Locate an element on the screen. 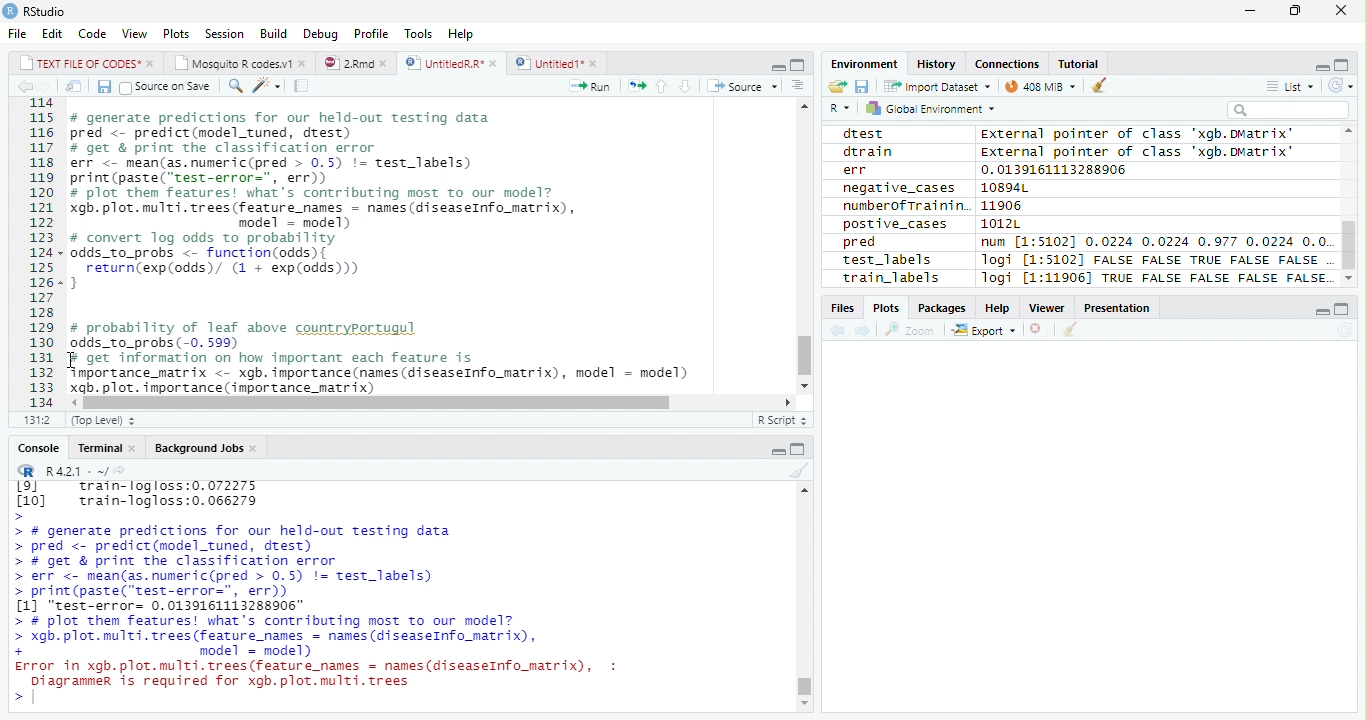  Coding Tools is located at coordinates (266, 84).